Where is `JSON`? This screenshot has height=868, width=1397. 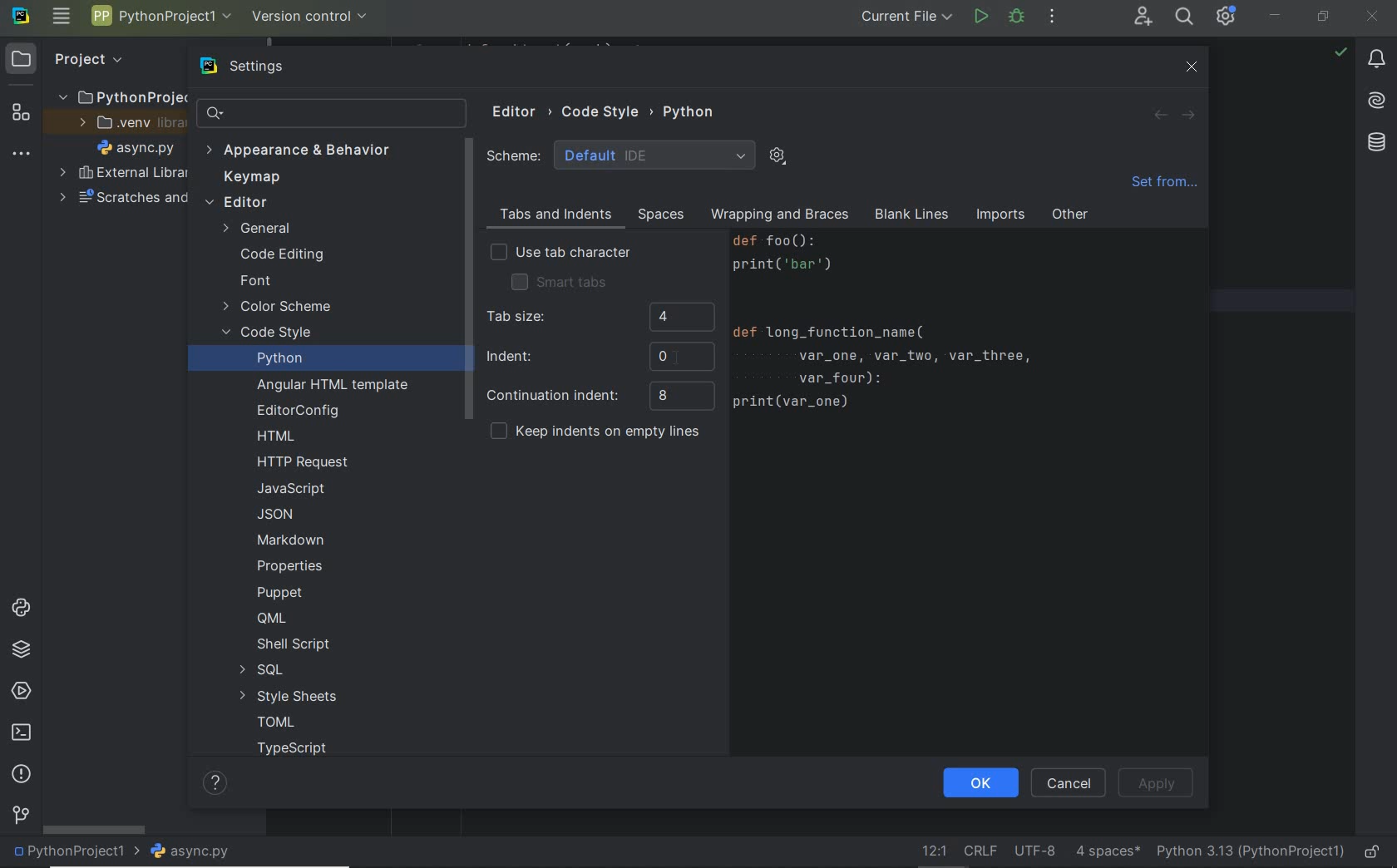 JSON is located at coordinates (280, 514).